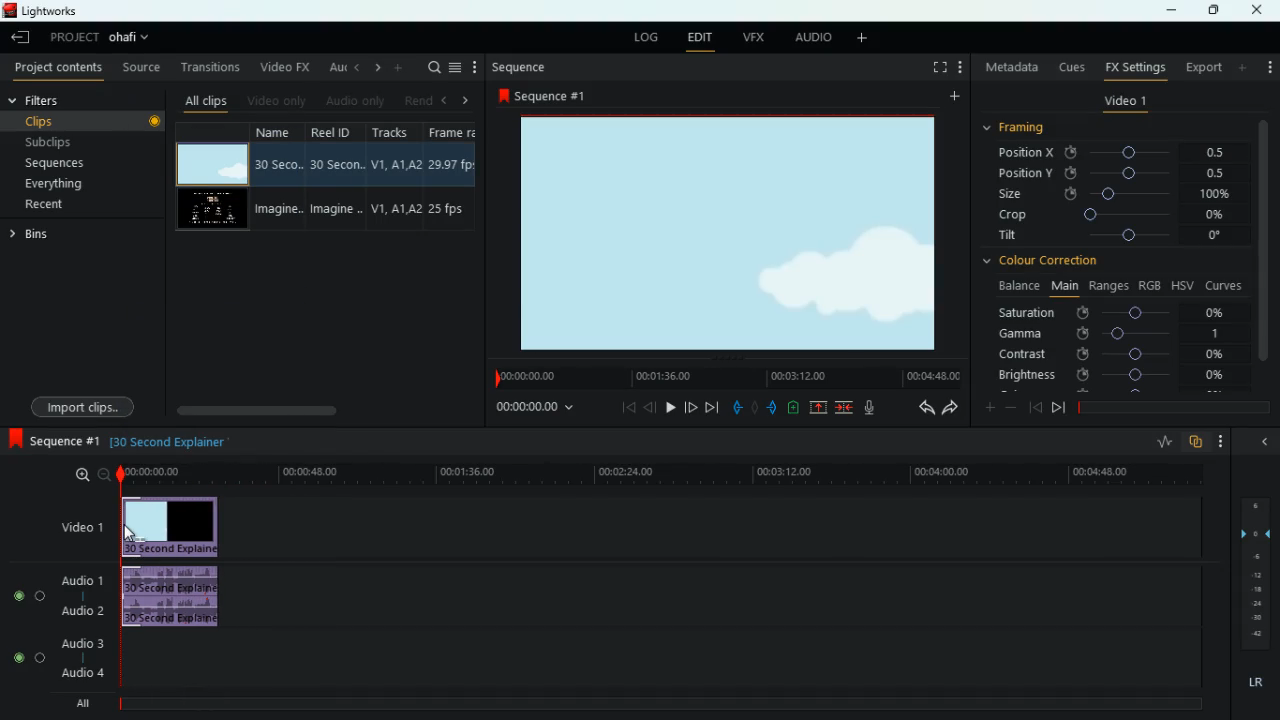 The height and width of the screenshot is (720, 1280). Describe the element at coordinates (28, 657) in the screenshot. I see `Audio` at that location.